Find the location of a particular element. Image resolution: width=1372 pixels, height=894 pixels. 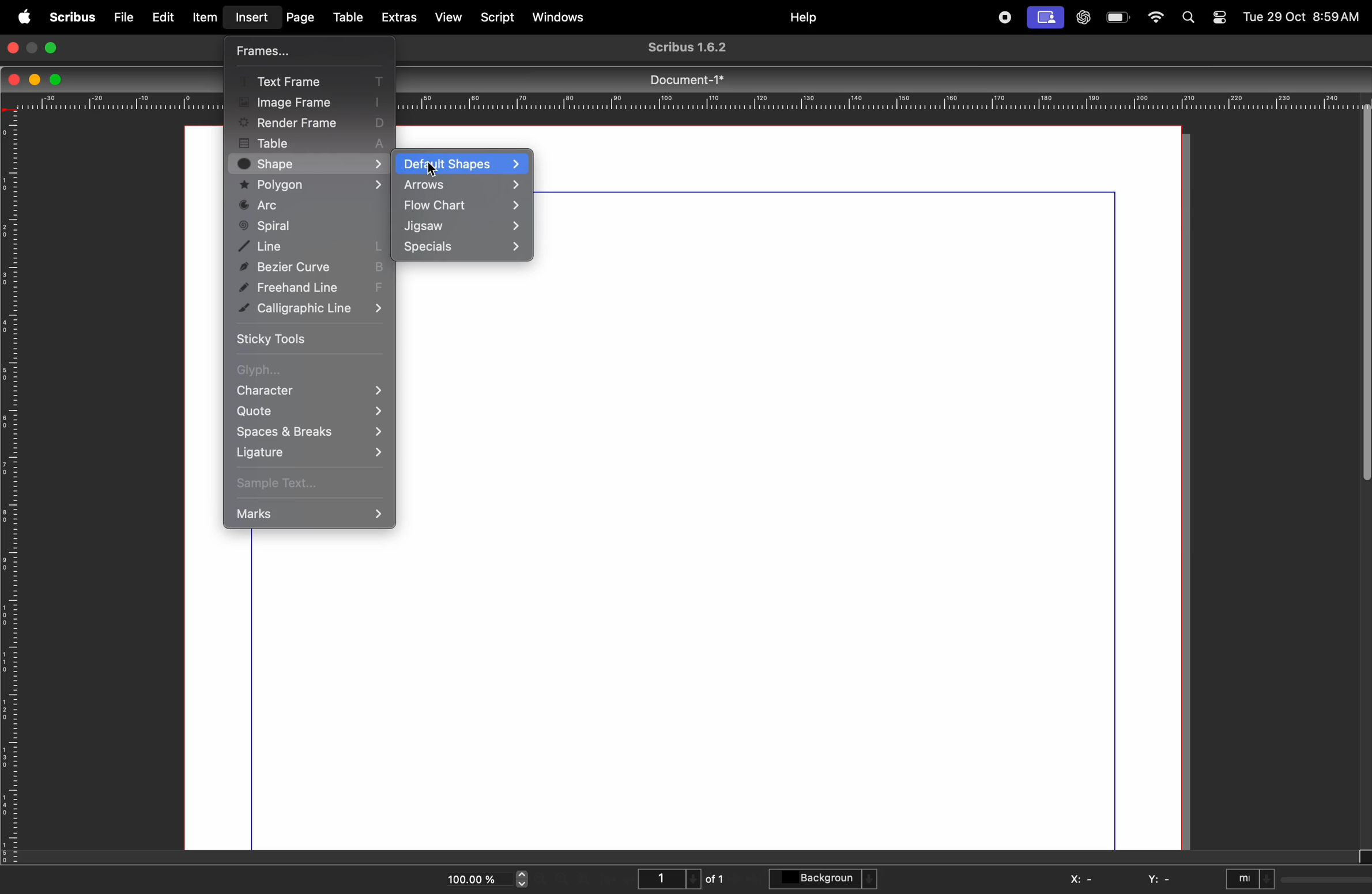

extras is located at coordinates (400, 17).